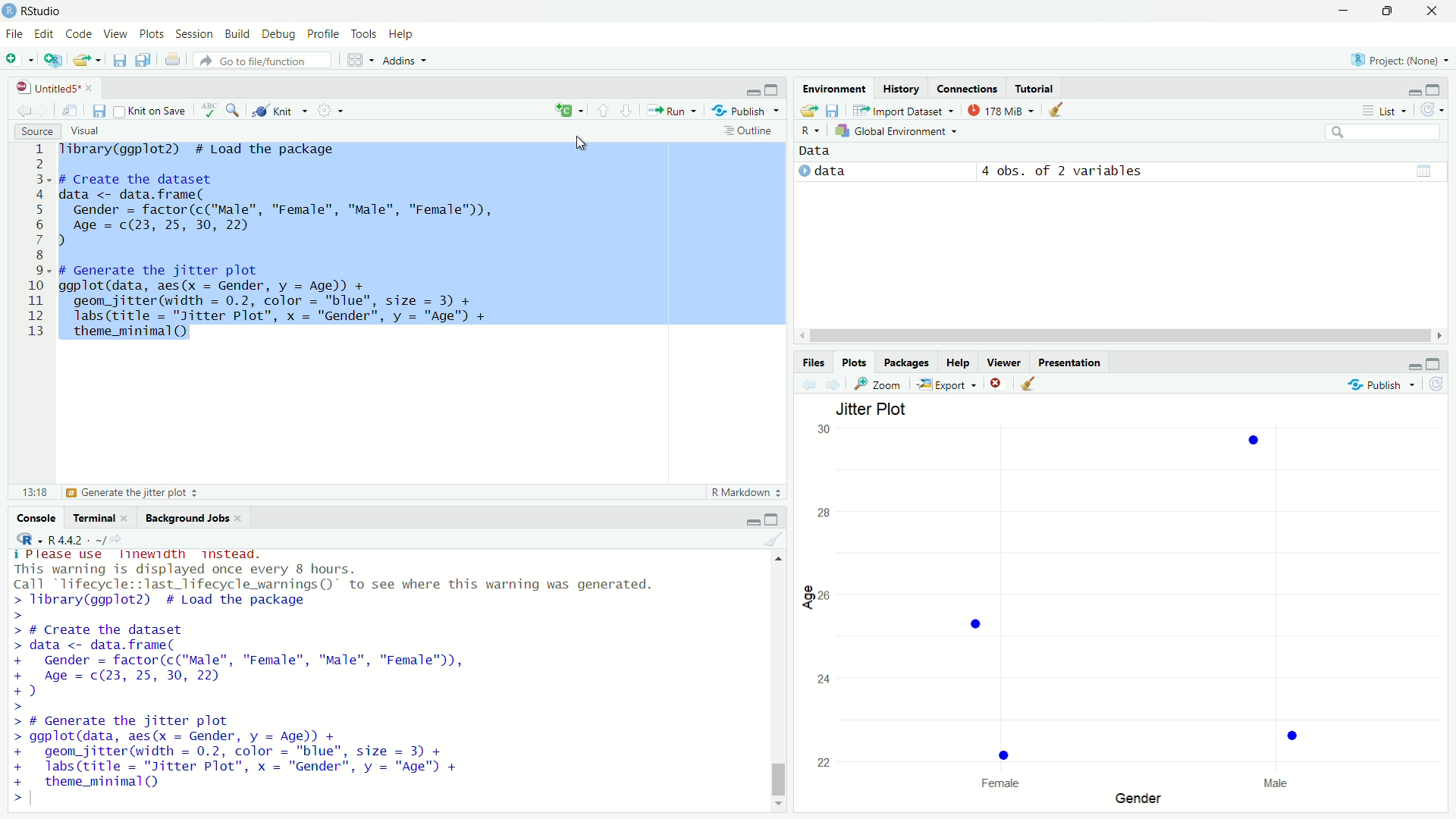 Image resolution: width=1456 pixels, height=819 pixels. Describe the element at coordinates (290, 661) in the screenshot. I see `code to create the dataset` at that location.